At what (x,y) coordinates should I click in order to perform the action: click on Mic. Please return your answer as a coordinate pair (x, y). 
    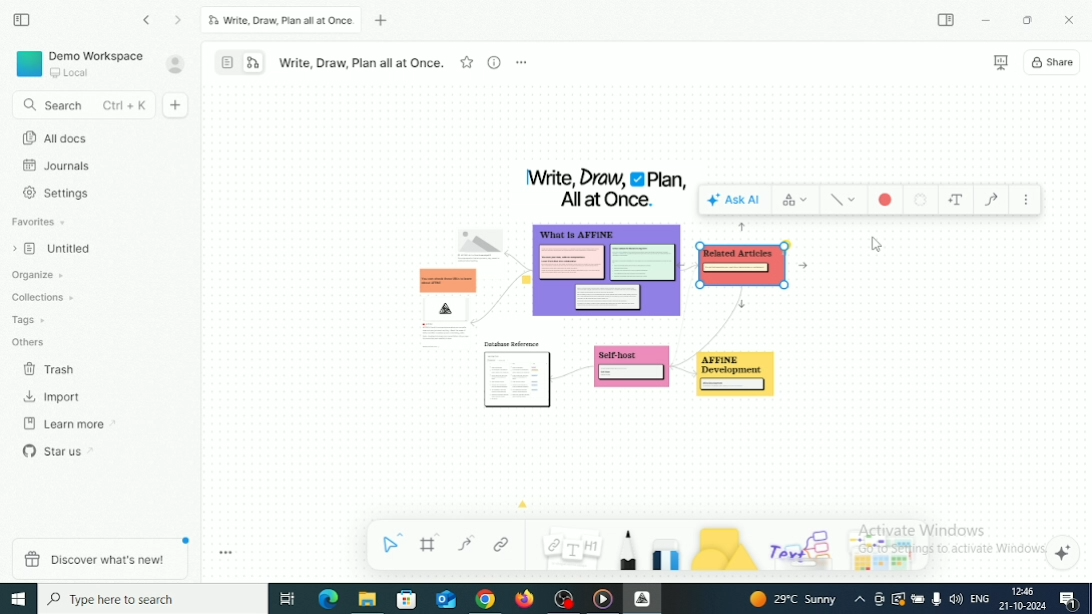
    Looking at the image, I should click on (936, 600).